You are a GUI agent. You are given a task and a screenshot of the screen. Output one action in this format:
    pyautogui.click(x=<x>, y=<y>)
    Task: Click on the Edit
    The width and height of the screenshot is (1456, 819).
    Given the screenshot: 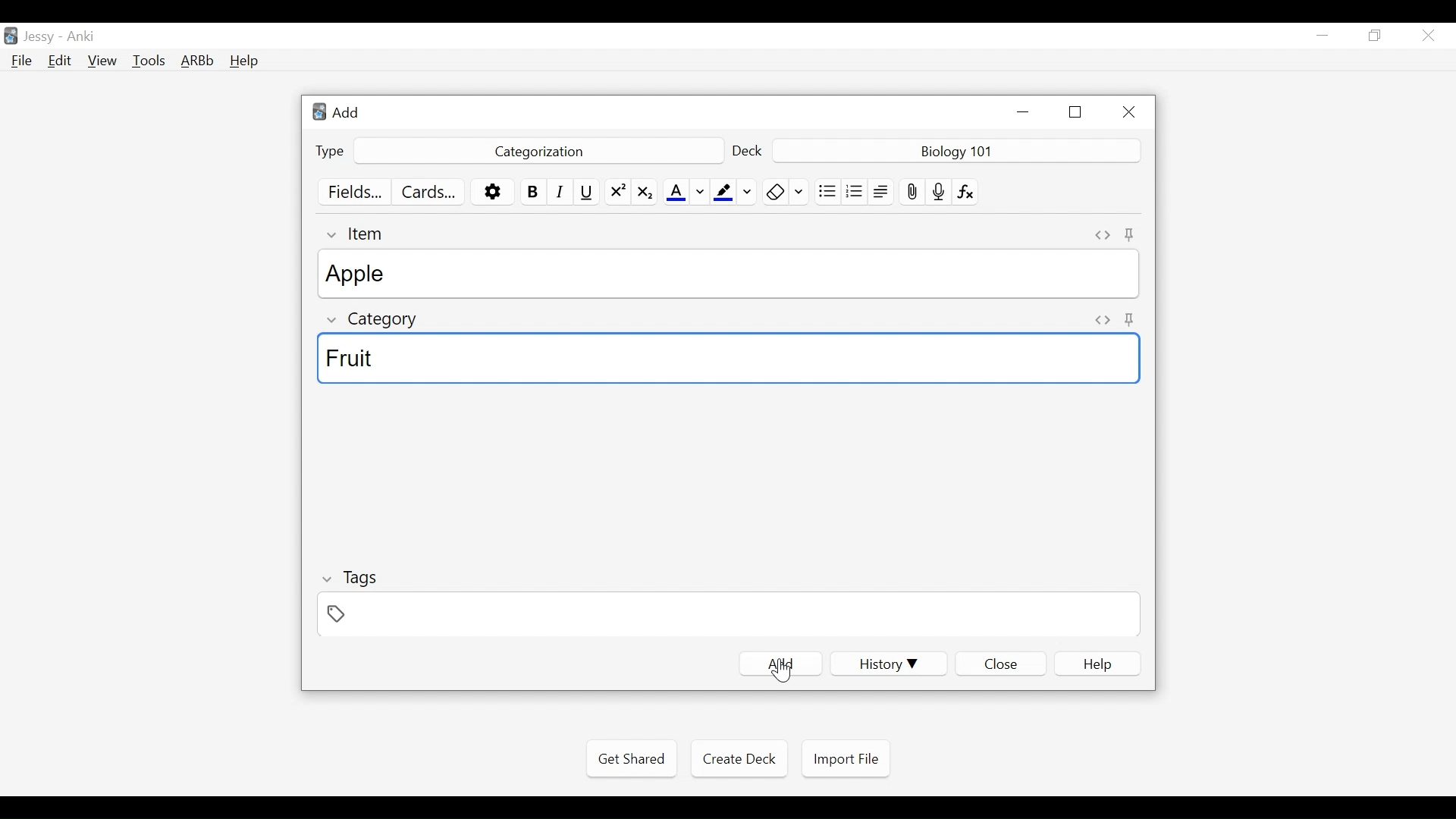 What is the action you would take?
    pyautogui.click(x=58, y=62)
    